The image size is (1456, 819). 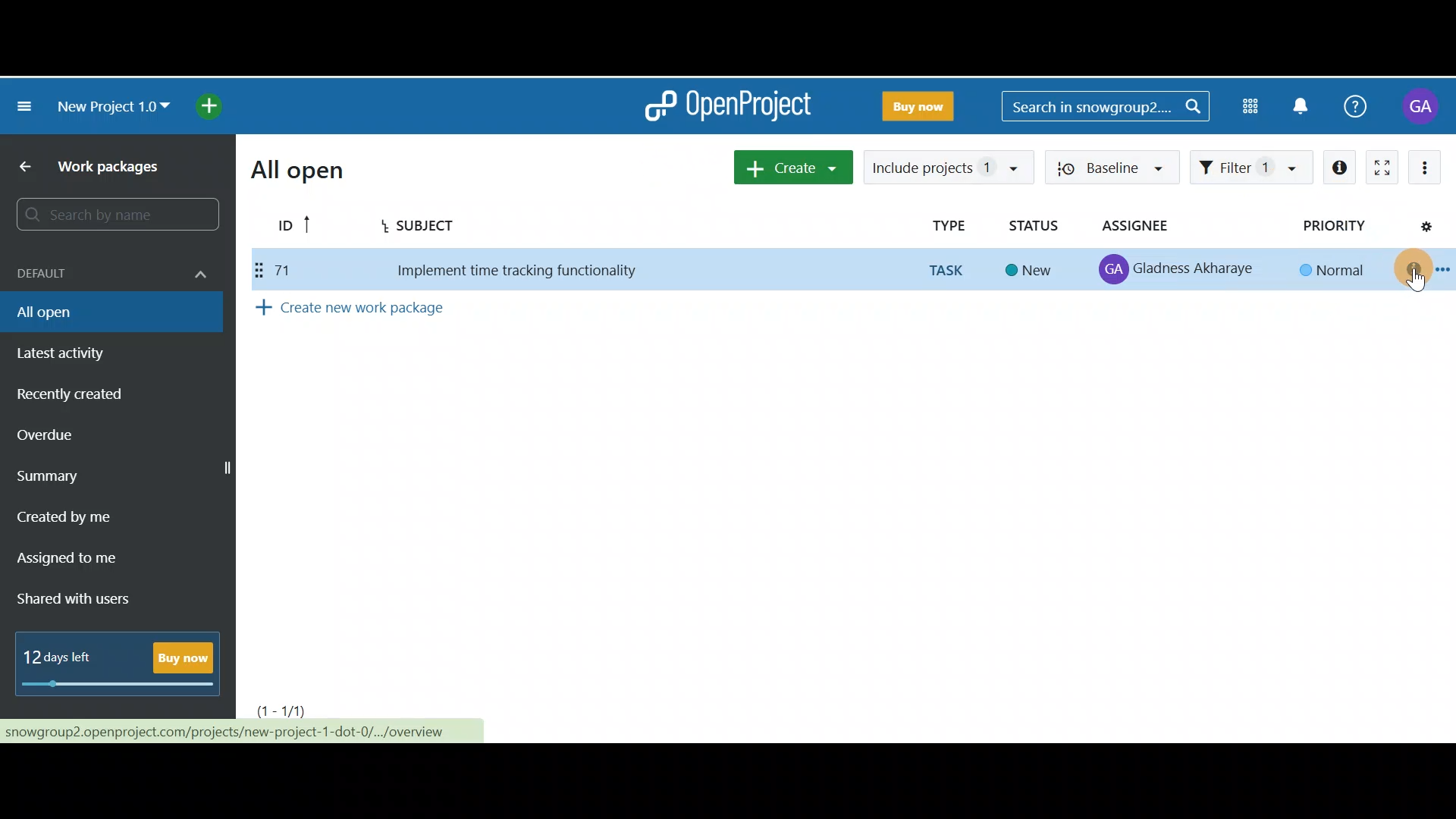 What do you see at coordinates (94, 315) in the screenshot?
I see `All open` at bounding box center [94, 315].